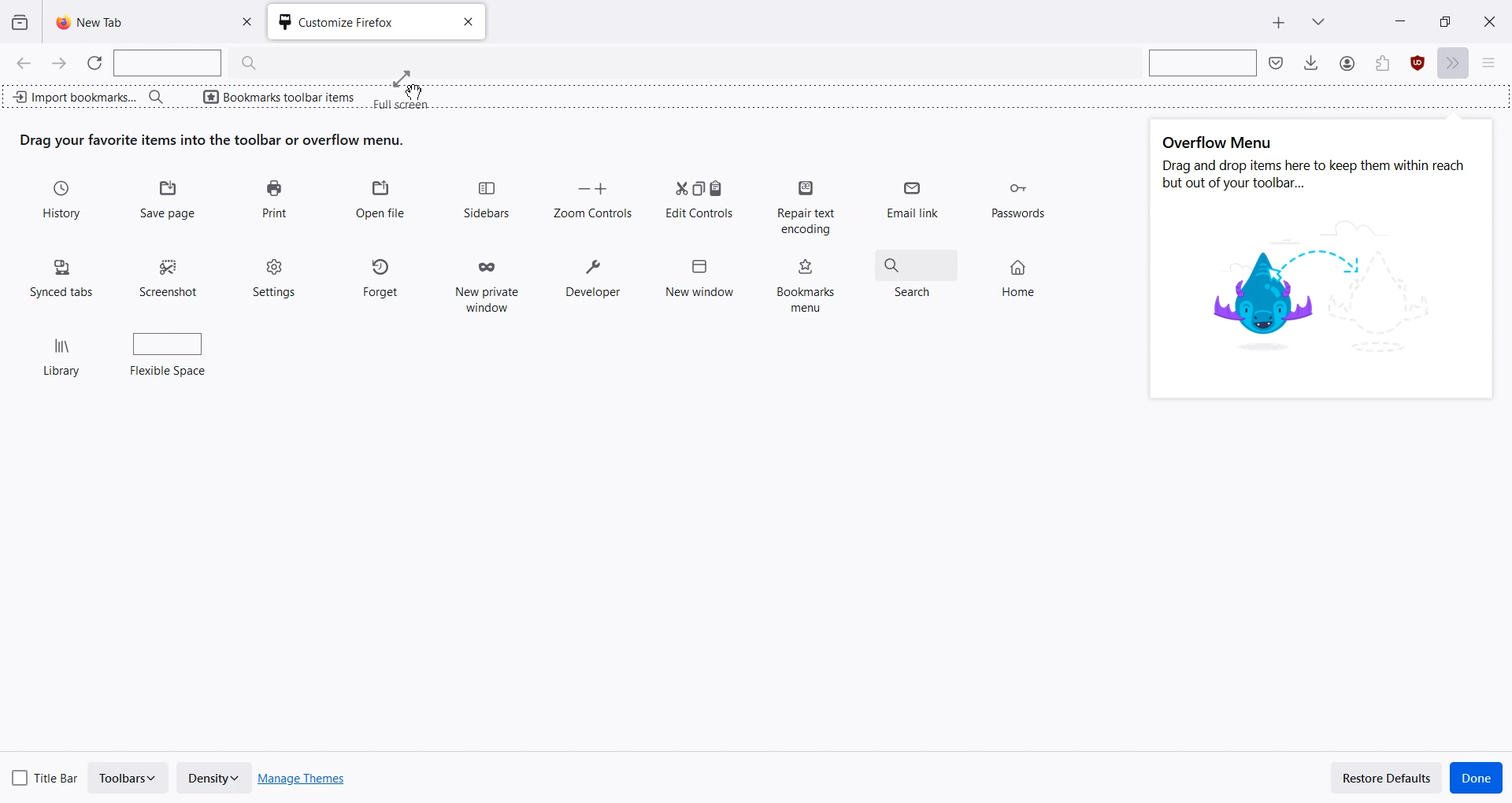 The height and width of the screenshot is (803, 1512). I want to click on New Tab, so click(1279, 23).